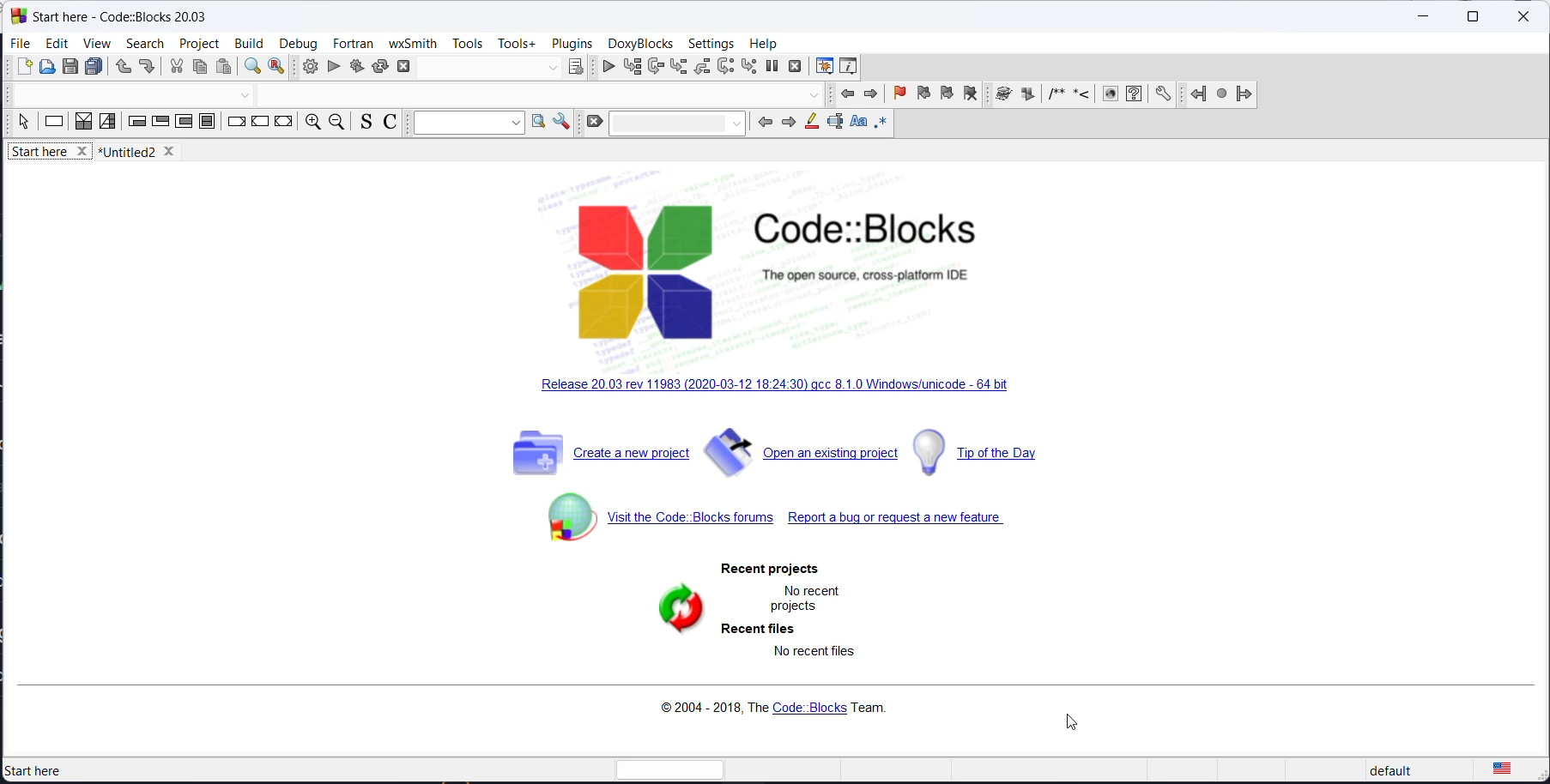 Image resolution: width=1550 pixels, height=784 pixels. Describe the element at coordinates (713, 44) in the screenshot. I see `settings` at that location.